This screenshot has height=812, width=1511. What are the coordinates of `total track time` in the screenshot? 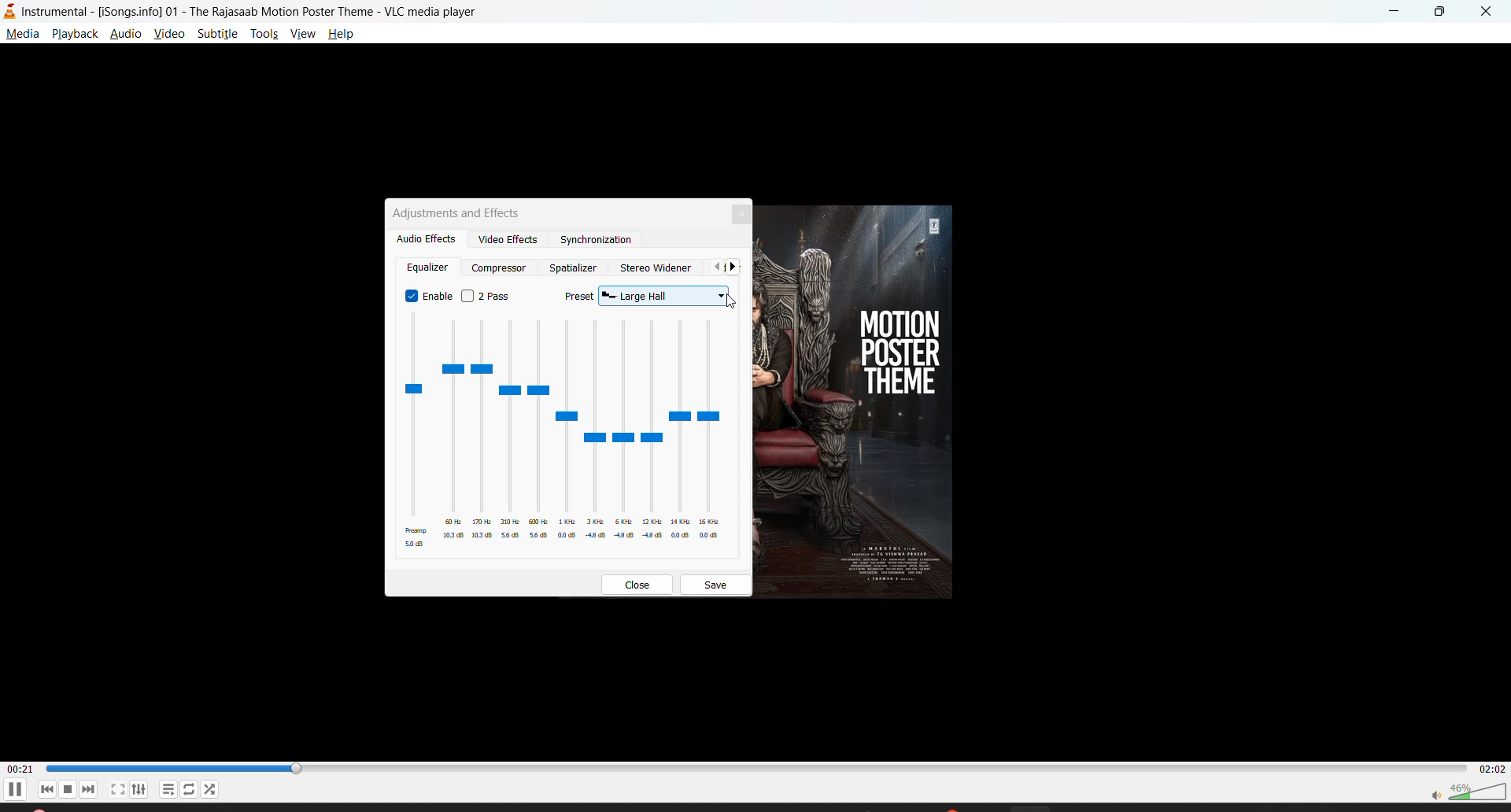 It's located at (1489, 767).